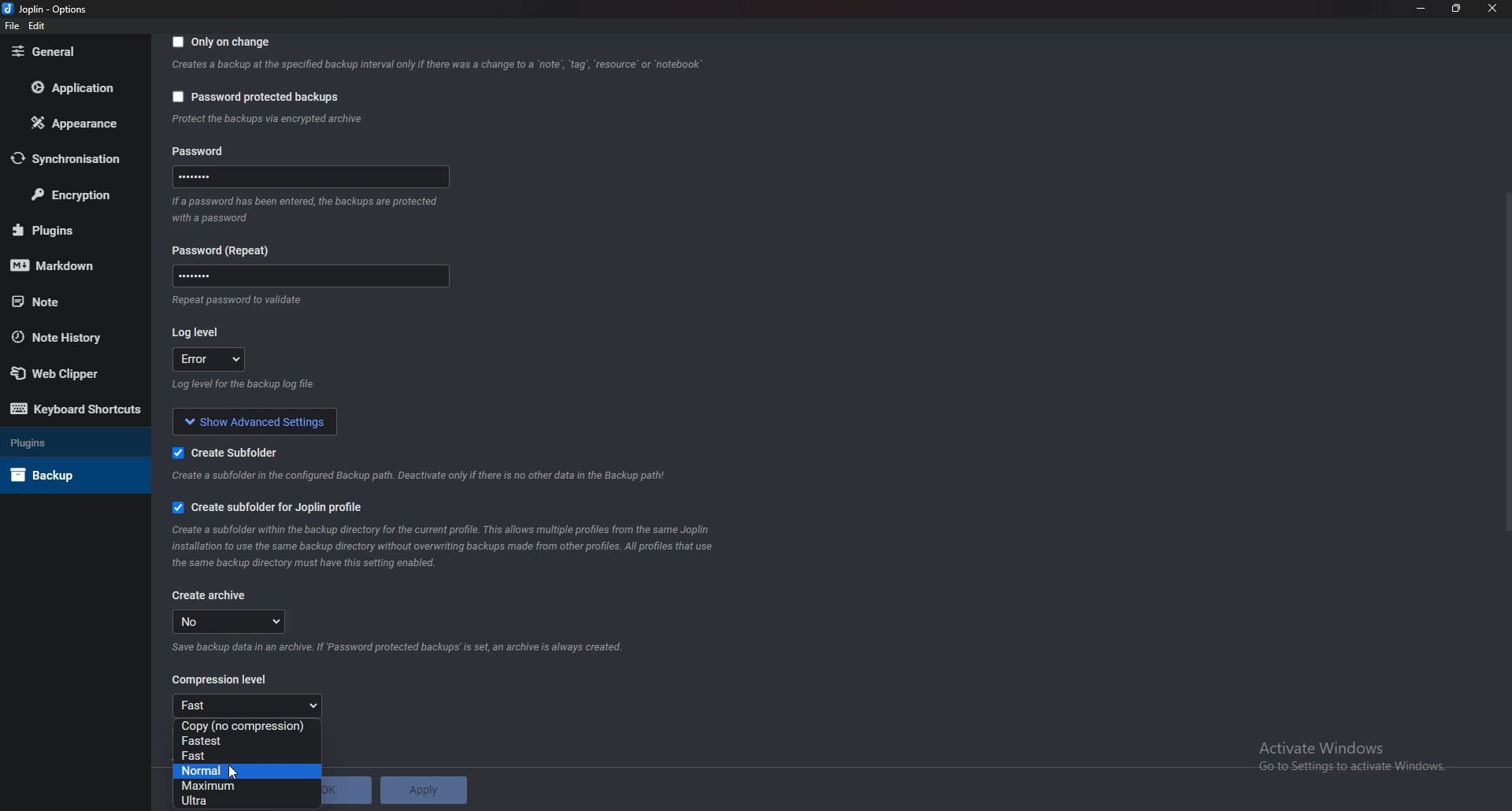 The image size is (1512, 811). I want to click on Info, so click(436, 67).